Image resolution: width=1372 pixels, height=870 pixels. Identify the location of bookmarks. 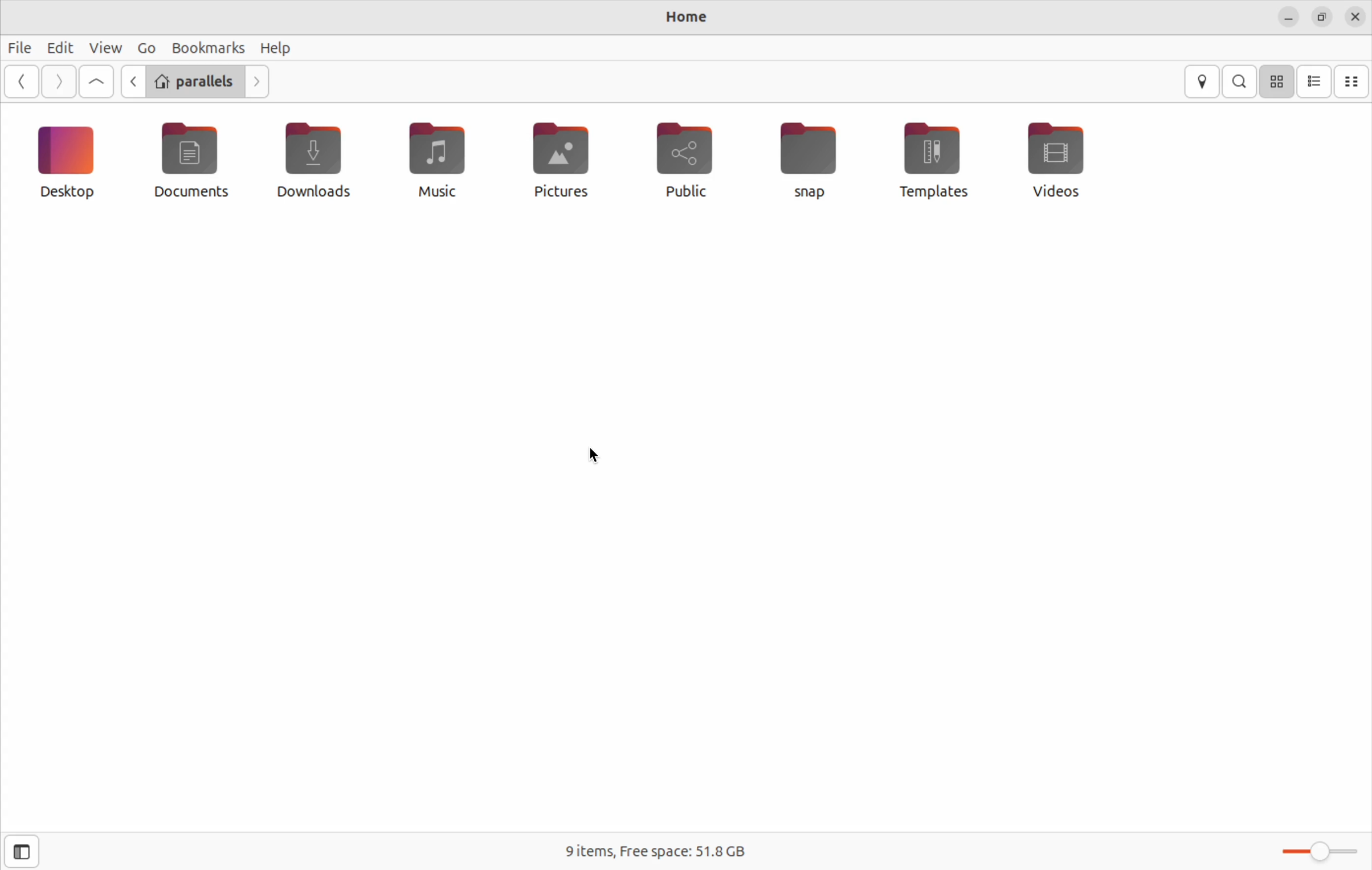
(208, 47).